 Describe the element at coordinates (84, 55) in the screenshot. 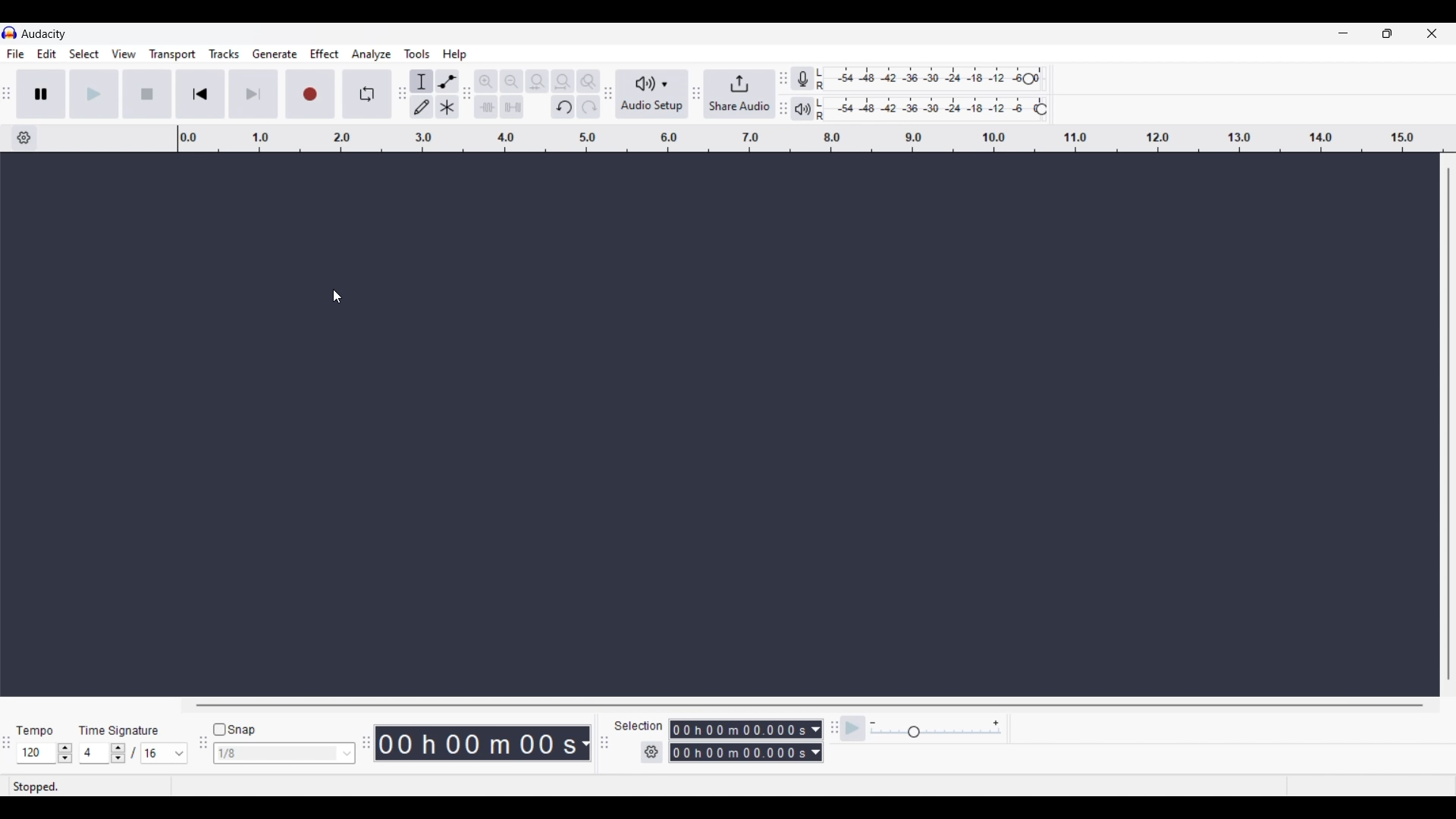

I see `Select menu` at that location.